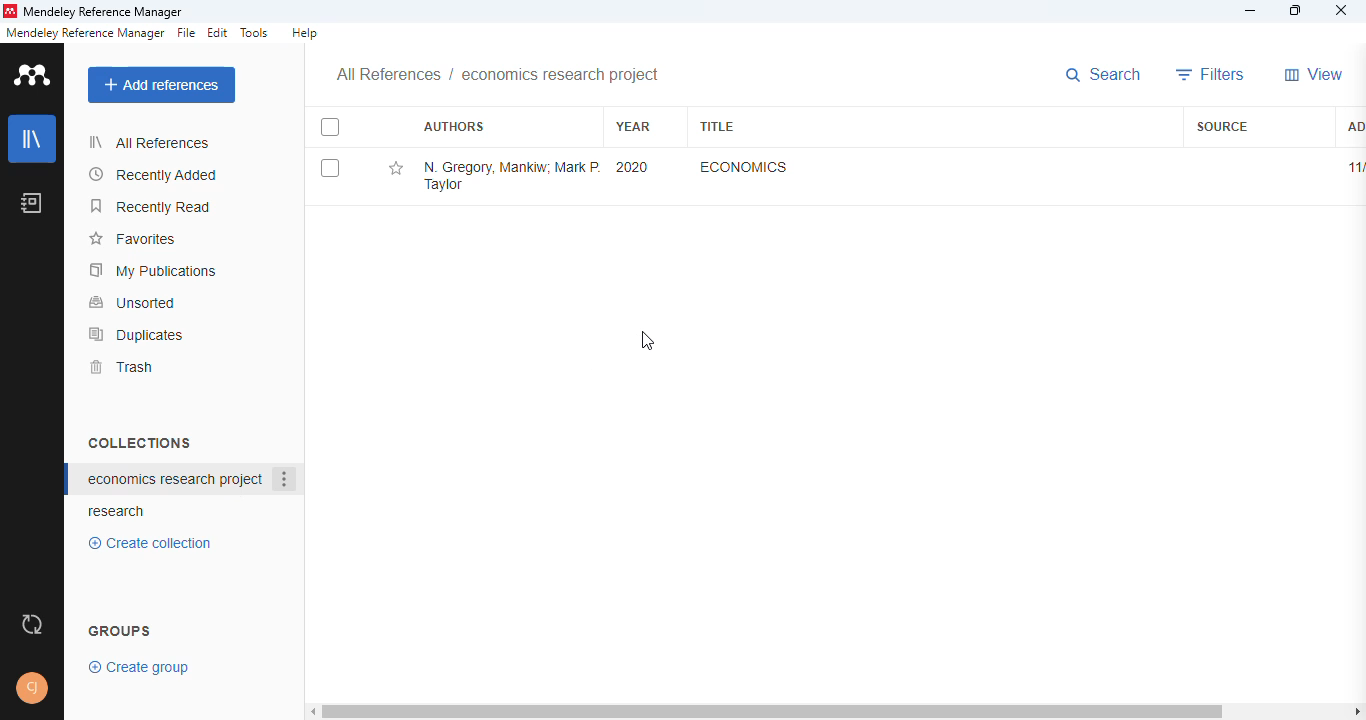 This screenshot has height=720, width=1366. Describe the element at coordinates (139, 442) in the screenshot. I see `collections` at that location.